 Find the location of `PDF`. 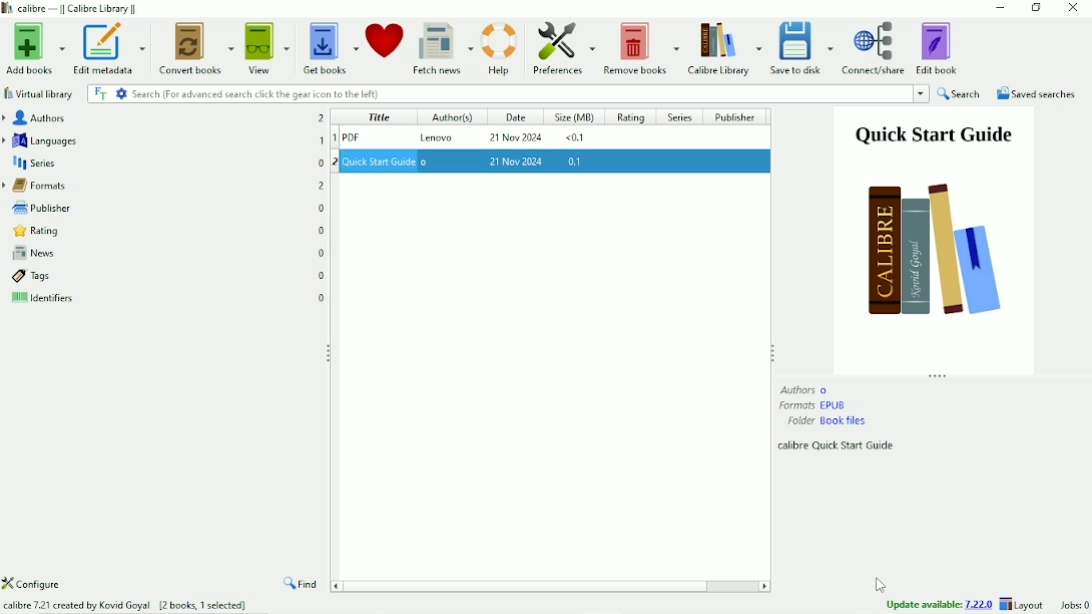

PDF is located at coordinates (378, 137).